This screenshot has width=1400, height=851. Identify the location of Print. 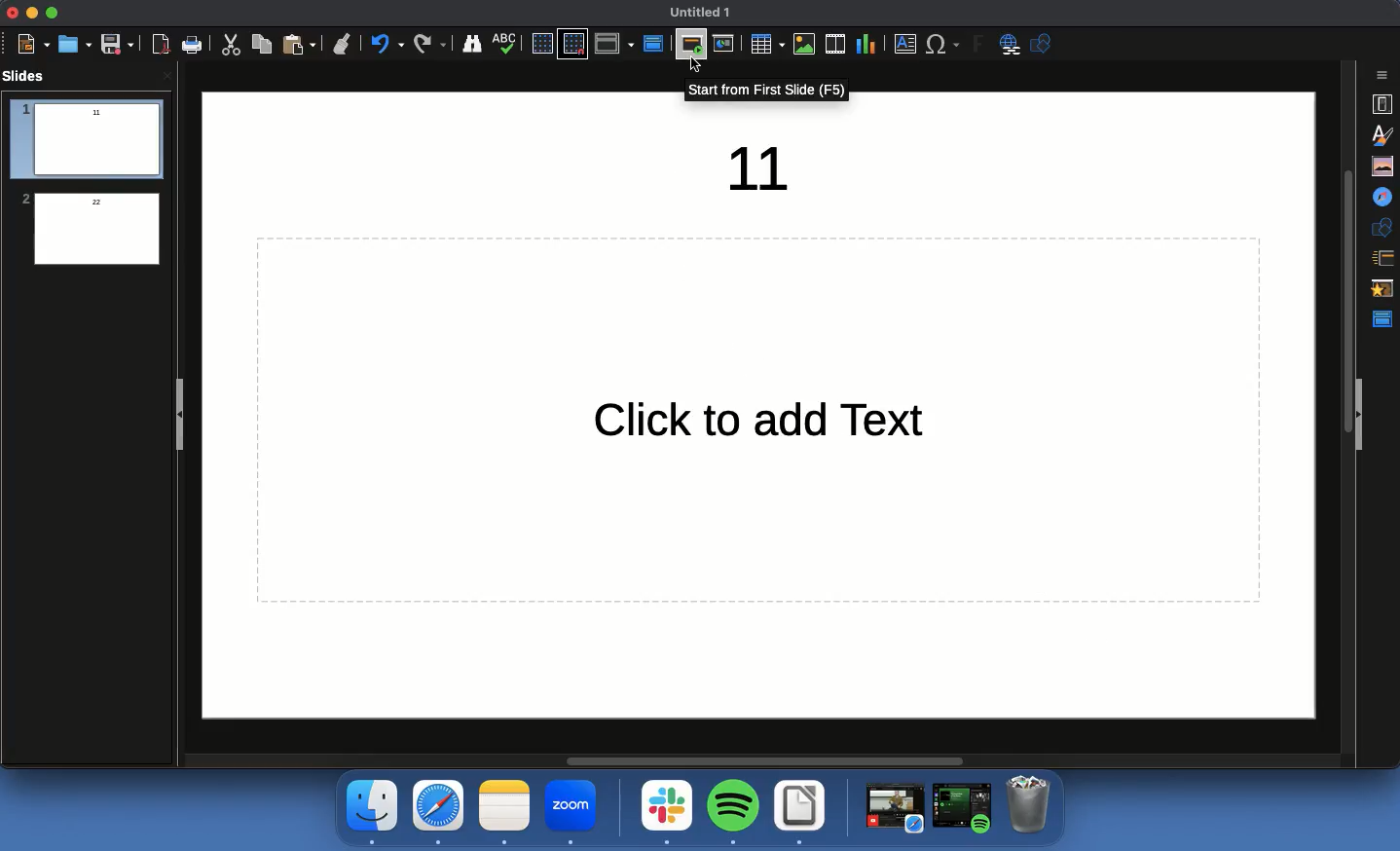
(194, 46).